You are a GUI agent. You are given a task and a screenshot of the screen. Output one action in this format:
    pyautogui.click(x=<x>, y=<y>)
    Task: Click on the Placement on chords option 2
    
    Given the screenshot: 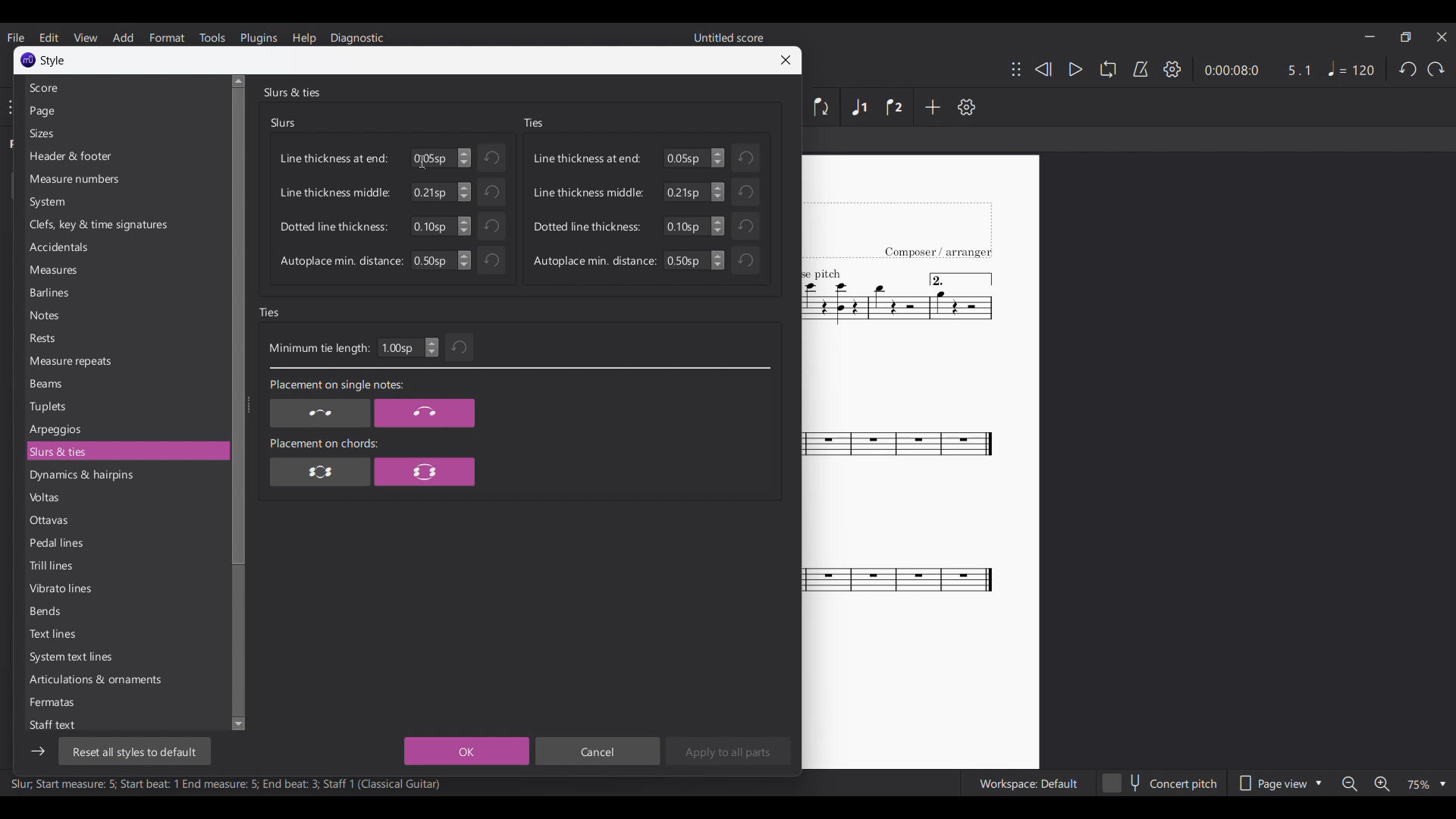 What is the action you would take?
    pyautogui.click(x=425, y=471)
    